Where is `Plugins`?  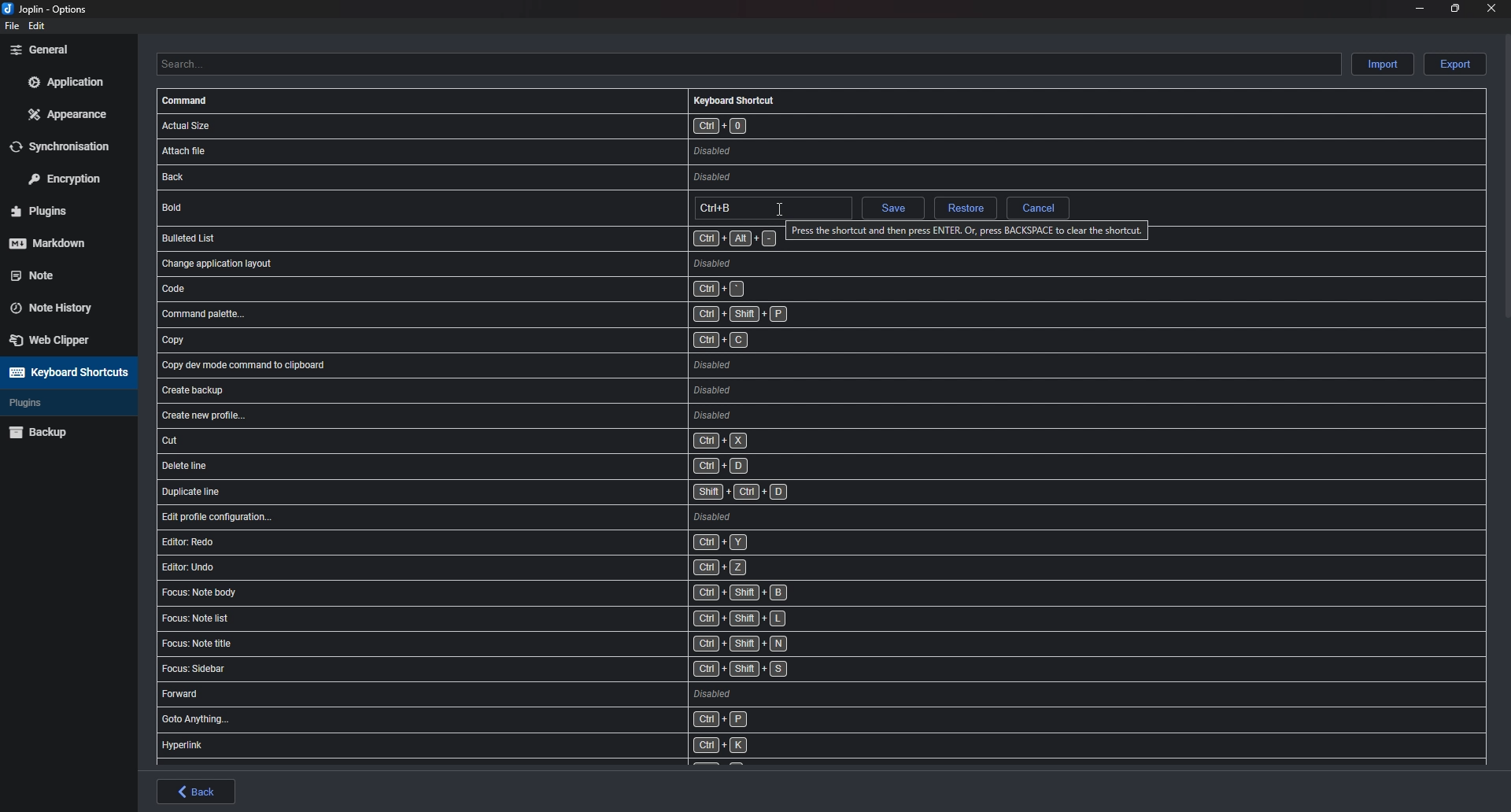
Plugins is located at coordinates (61, 212).